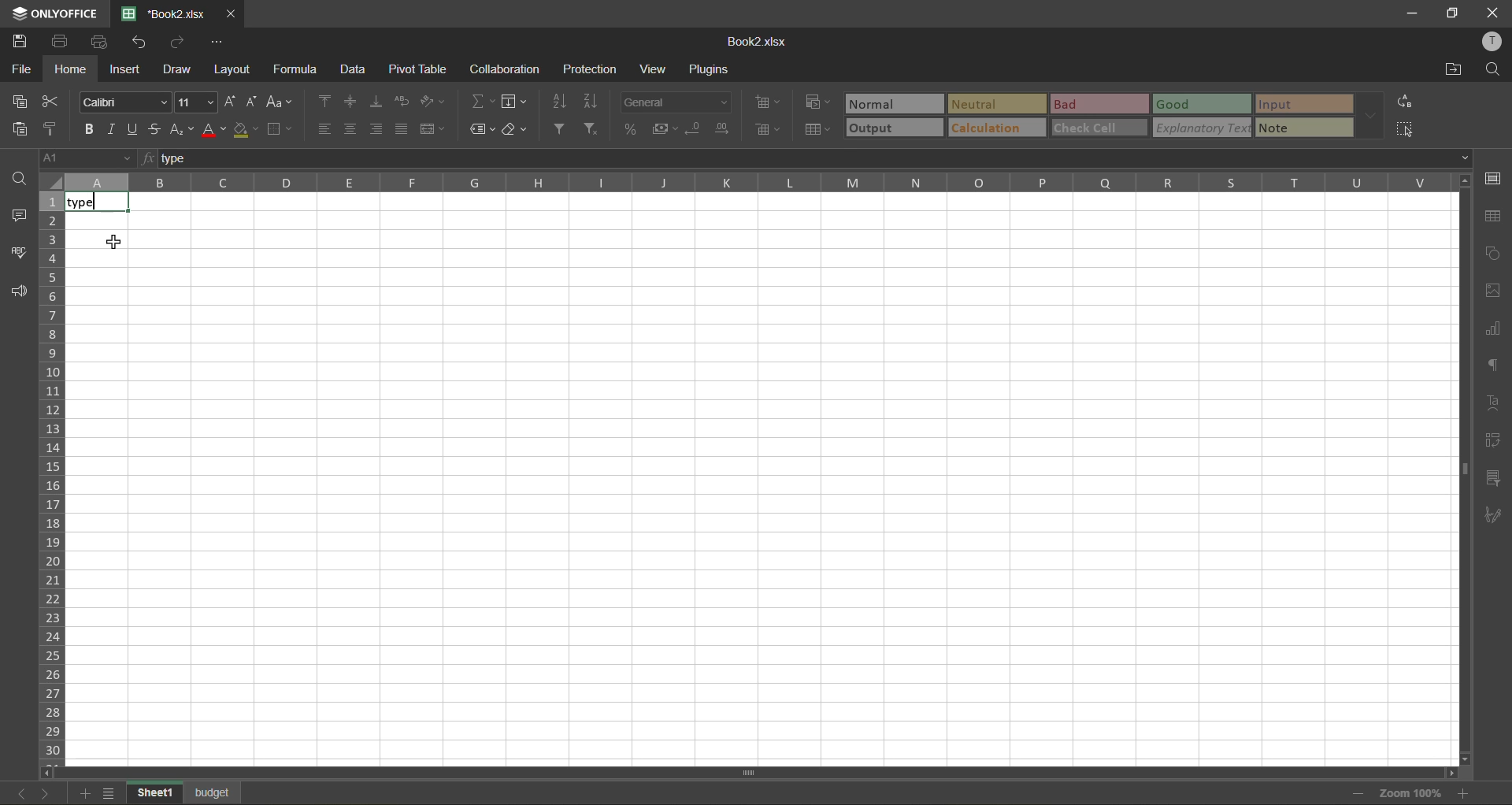  I want to click on increment size, so click(228, 102).